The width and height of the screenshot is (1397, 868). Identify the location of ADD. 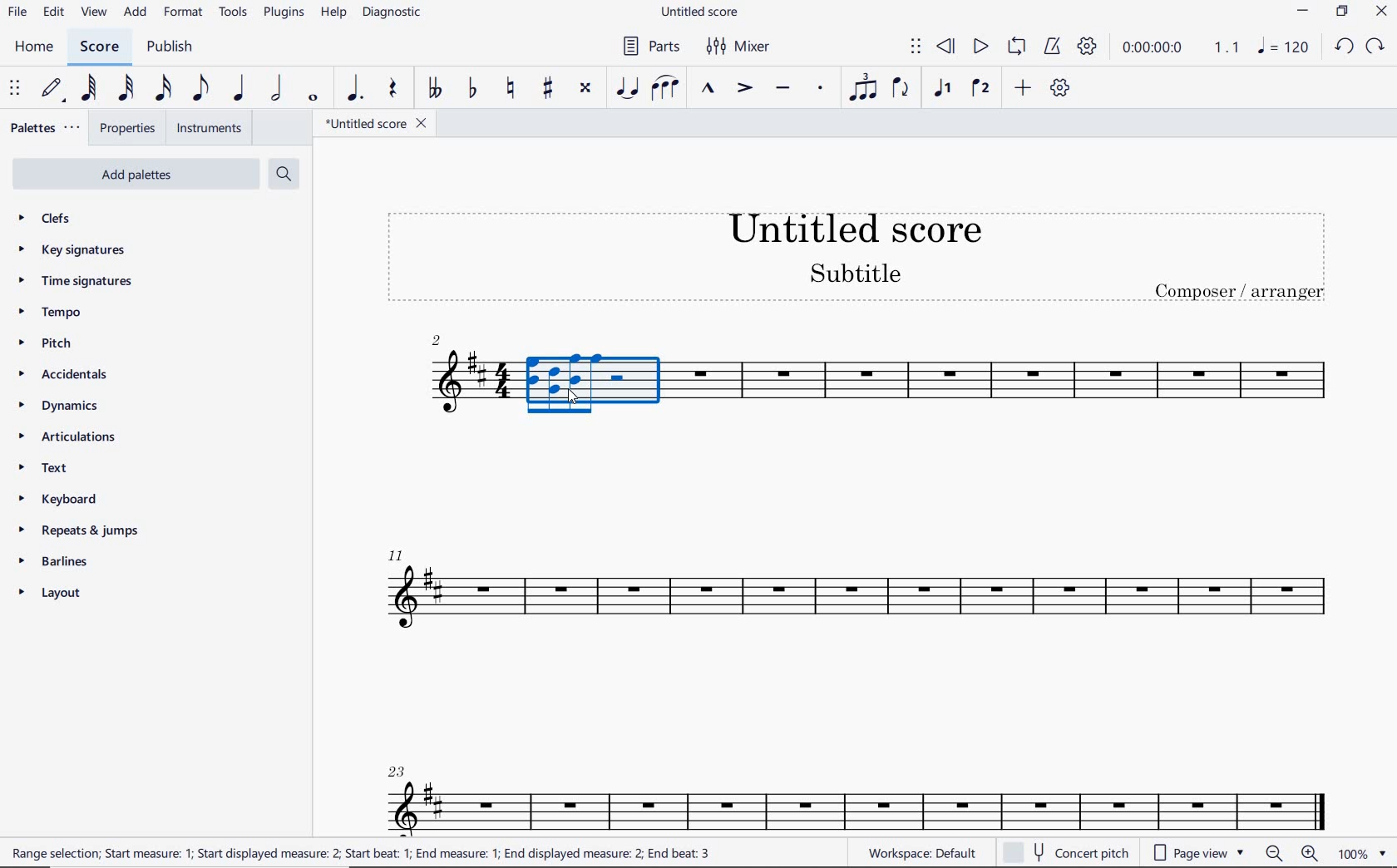
(1020, 89).